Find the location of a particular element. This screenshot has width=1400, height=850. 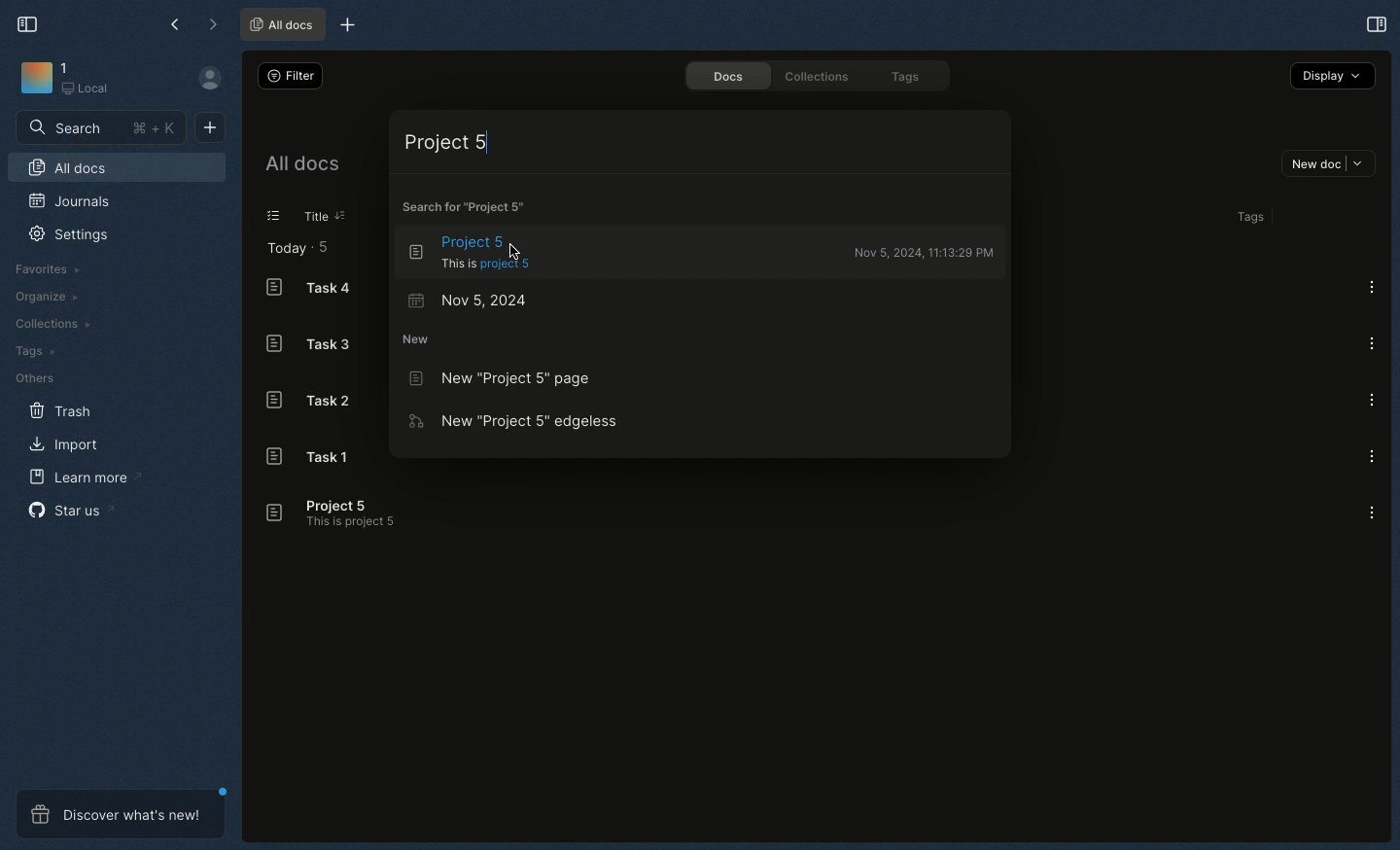

Project 5 is located at coordinates (699, 251).